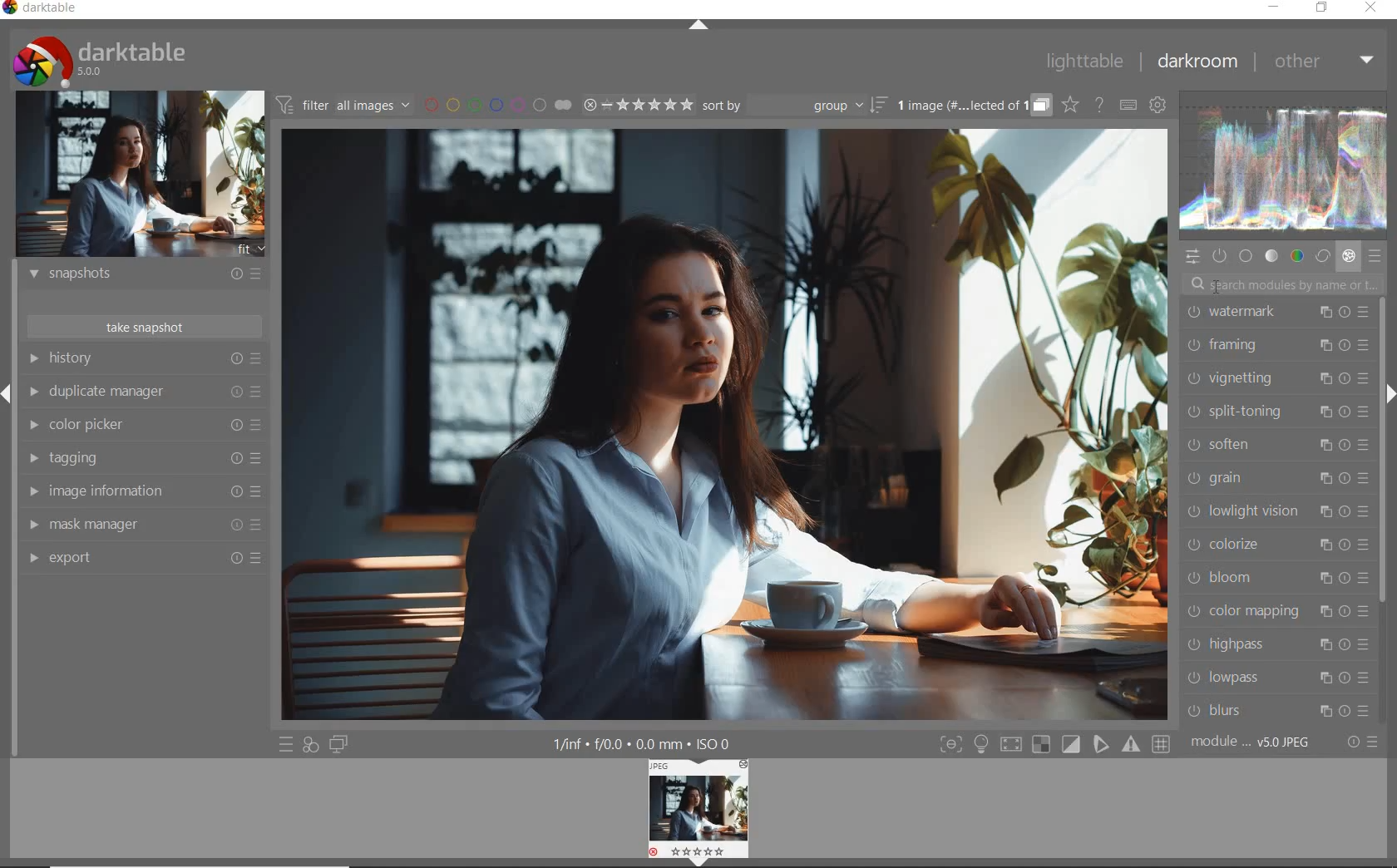  What do you see at coordinates (1273, 256) in the screenshot?
I see `tone` at bounding box center [1273, 256].